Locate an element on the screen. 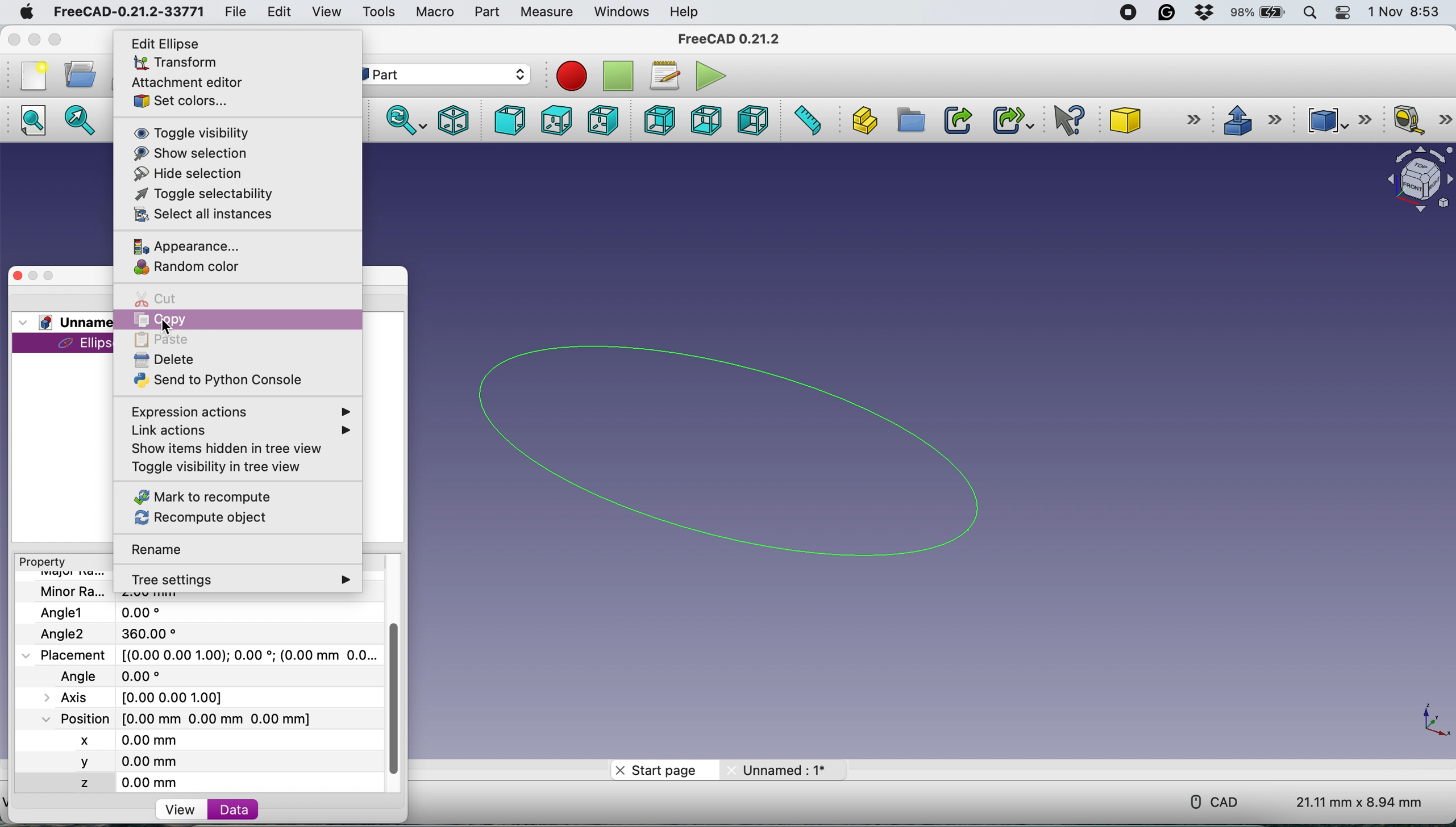 This screenshot has width=1456, height=827. edit ellipse is located at coordinates (176, 41).